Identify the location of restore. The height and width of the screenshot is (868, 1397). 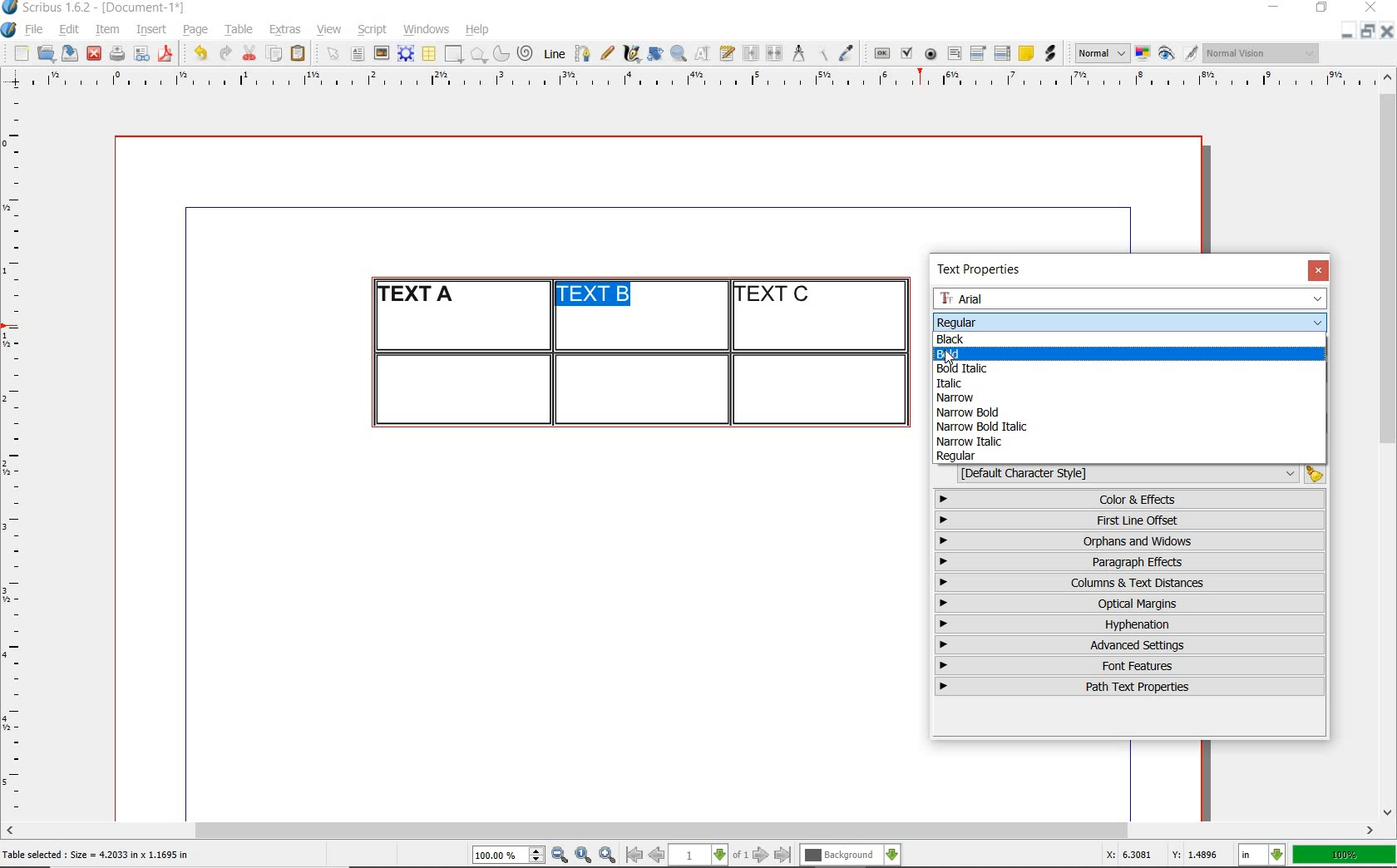
(1322, 8).